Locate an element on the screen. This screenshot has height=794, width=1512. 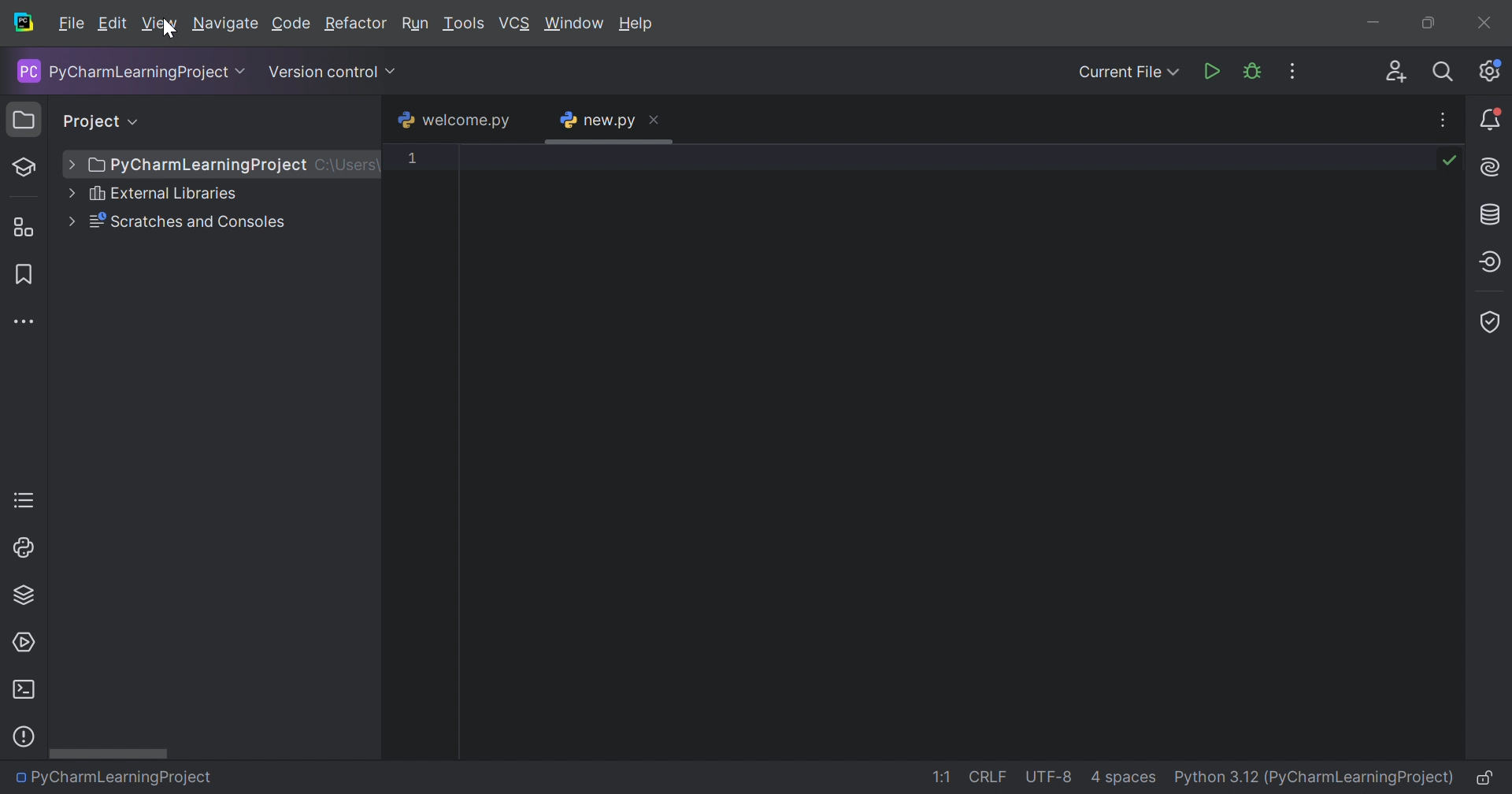
Make file read-only is located at coordinates (1487, 779).